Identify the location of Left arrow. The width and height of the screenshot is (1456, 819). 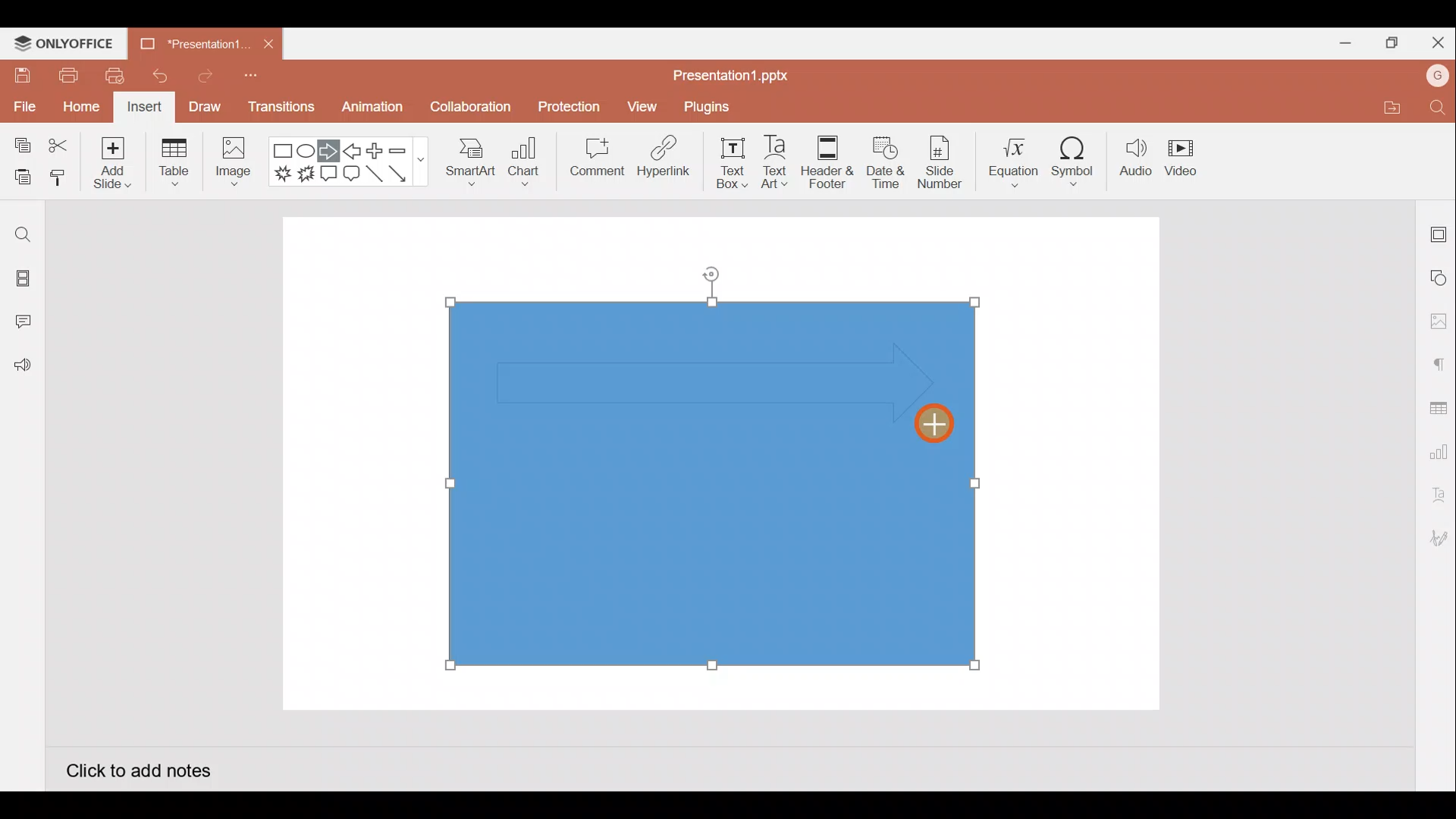
(353, 151).